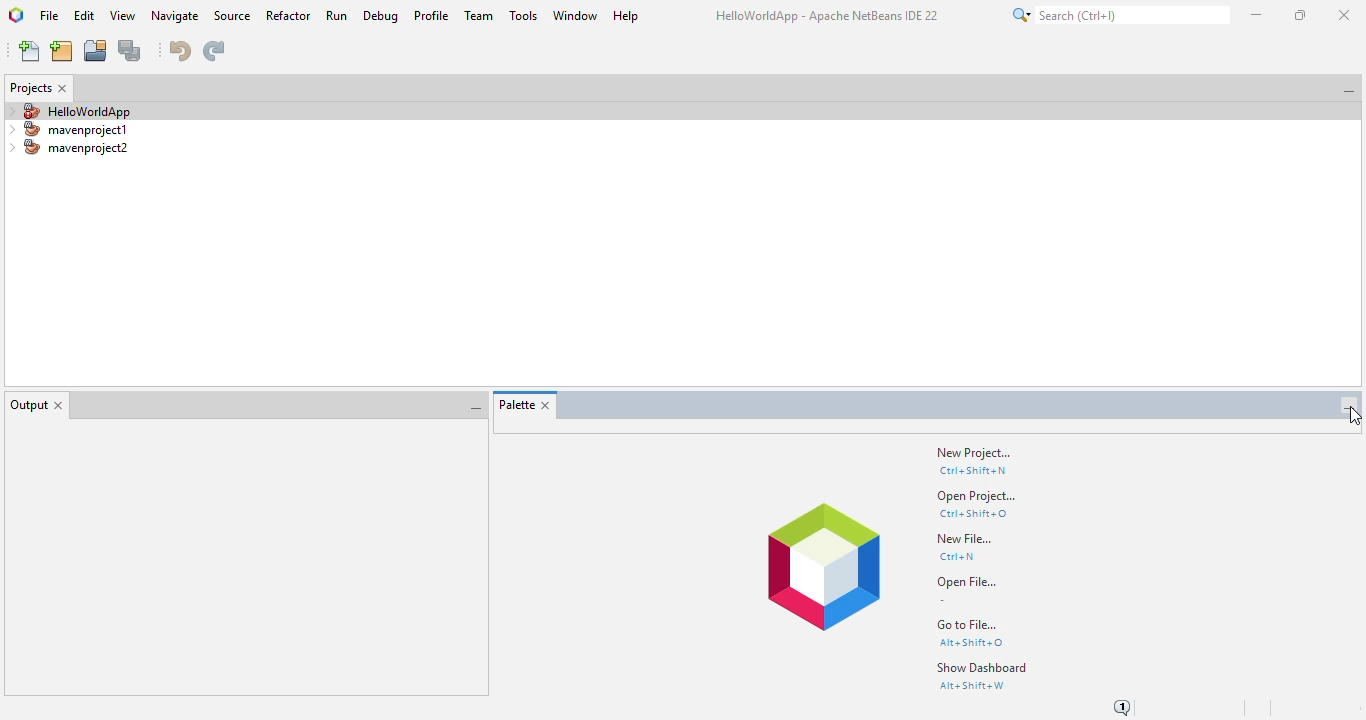 This screenshot has height=720, width=1366. Describe the element at coordinates (974, 453) in the screenshot. I see `new project` at that location.